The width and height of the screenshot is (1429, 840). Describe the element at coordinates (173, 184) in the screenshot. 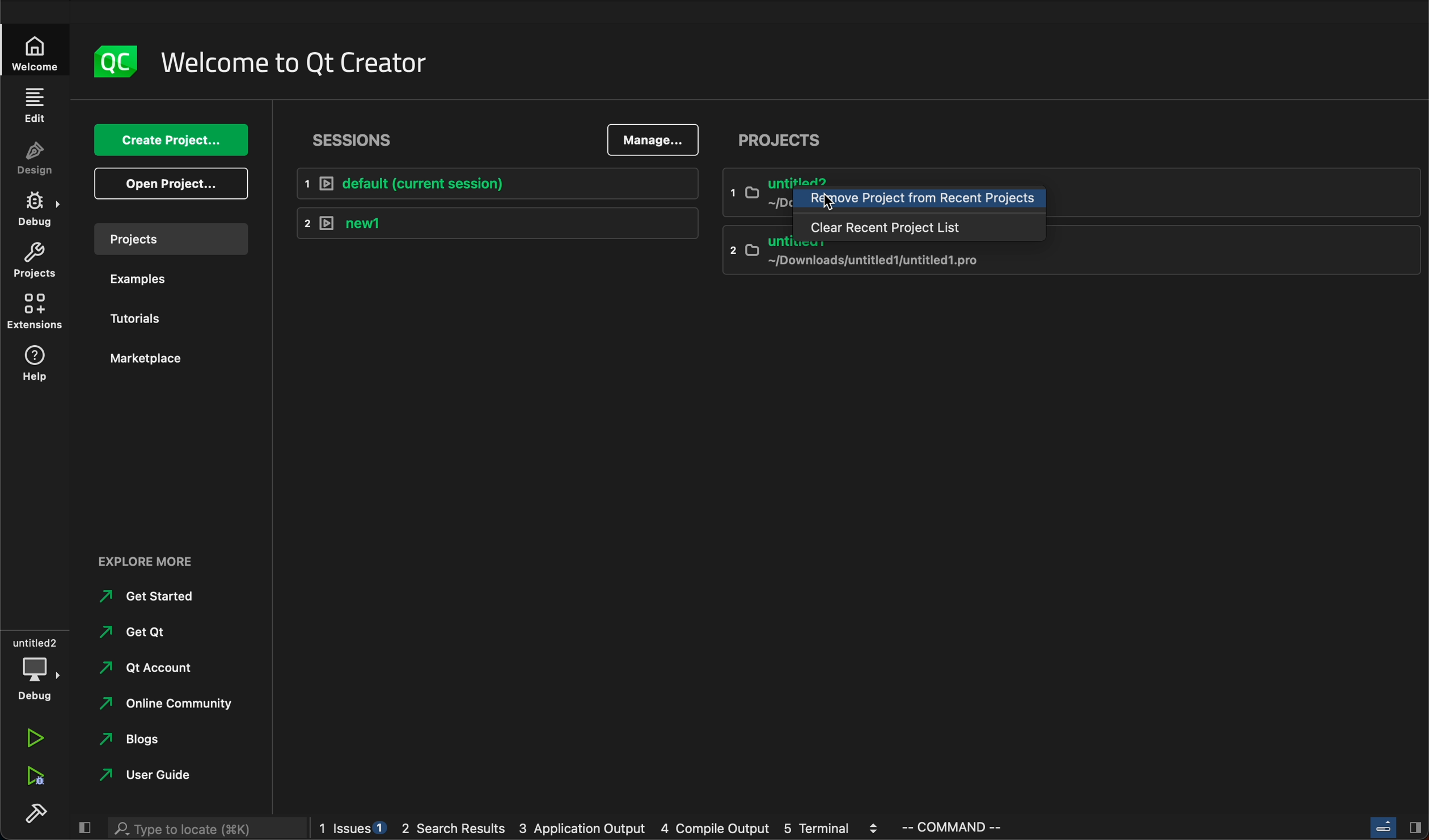

I see `open` at that location.